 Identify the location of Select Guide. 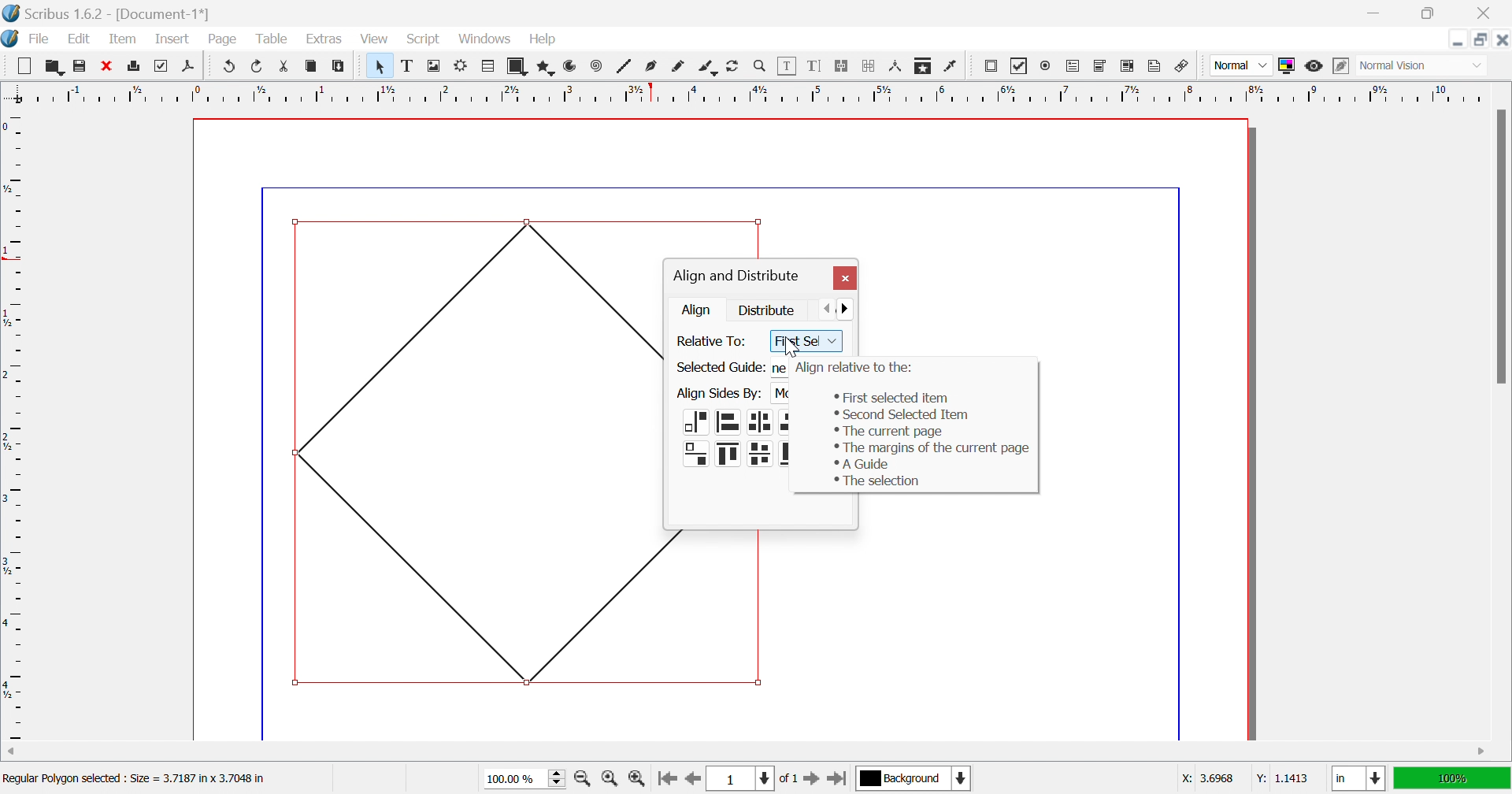
(719, 368).